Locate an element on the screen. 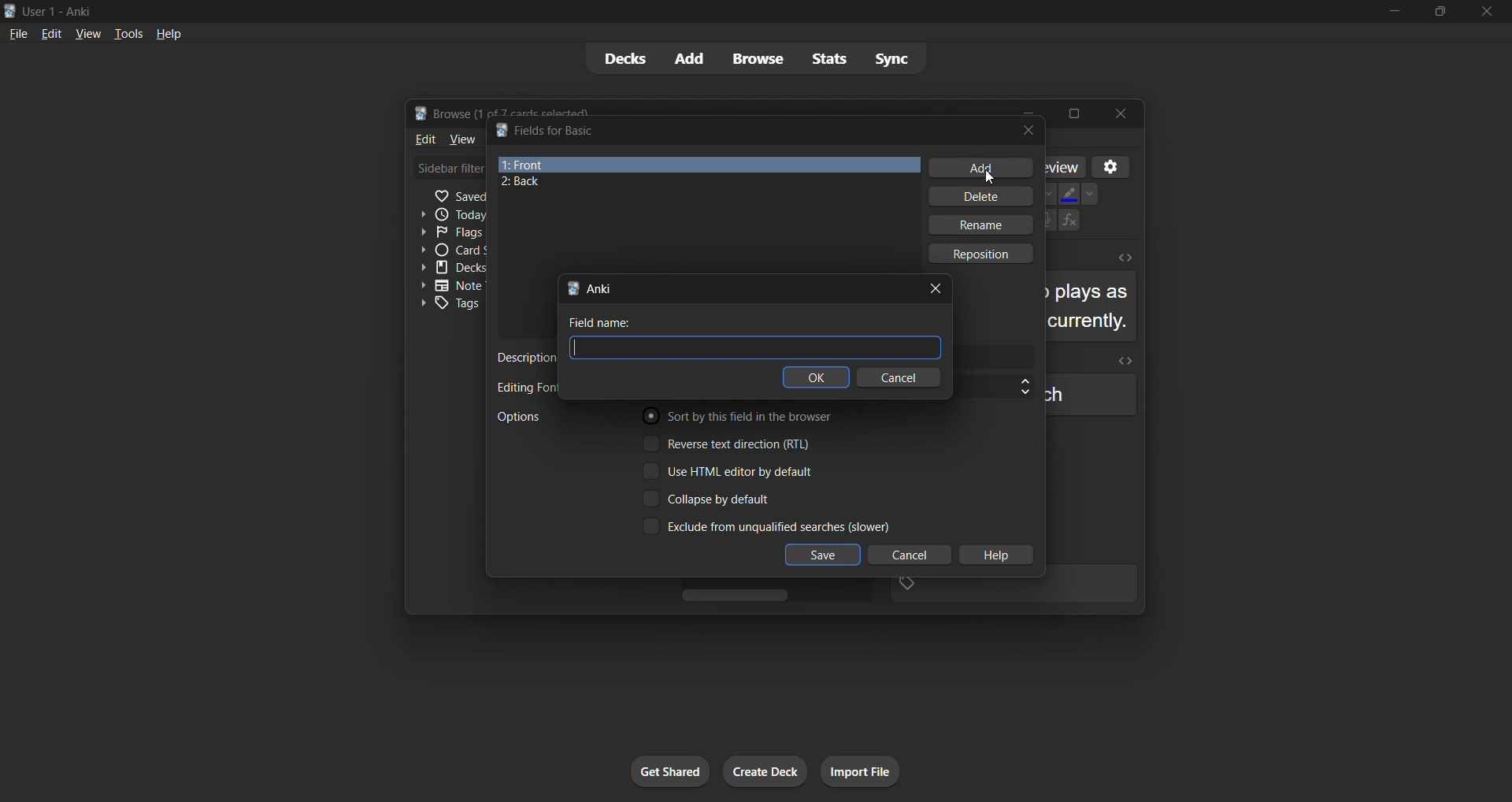 The width and height of the screenshot is (1512, 802). tools is located at coordinates (127, 35).